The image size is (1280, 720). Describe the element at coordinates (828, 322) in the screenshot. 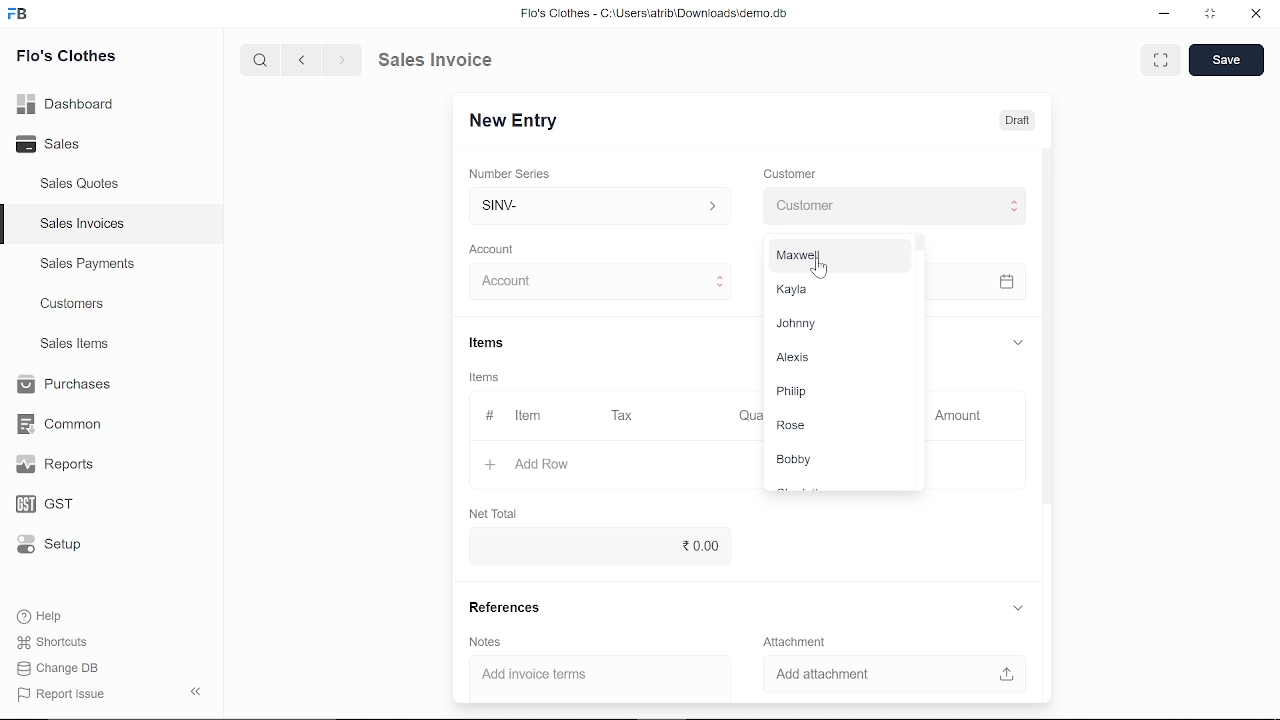

I see `Johnny` at that location.